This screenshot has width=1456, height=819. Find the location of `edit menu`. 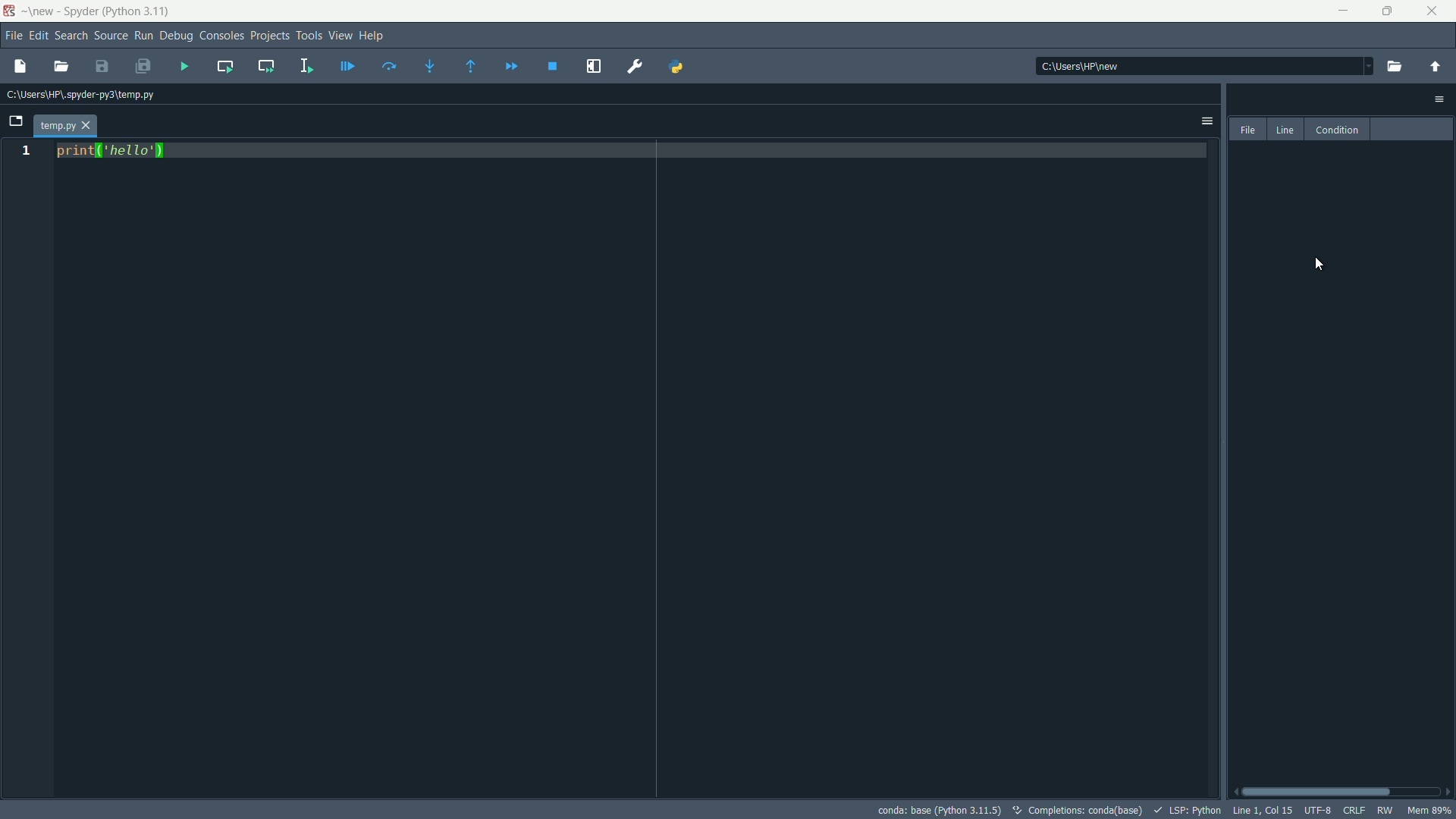

edit menu is located at coordinates (39, 36).